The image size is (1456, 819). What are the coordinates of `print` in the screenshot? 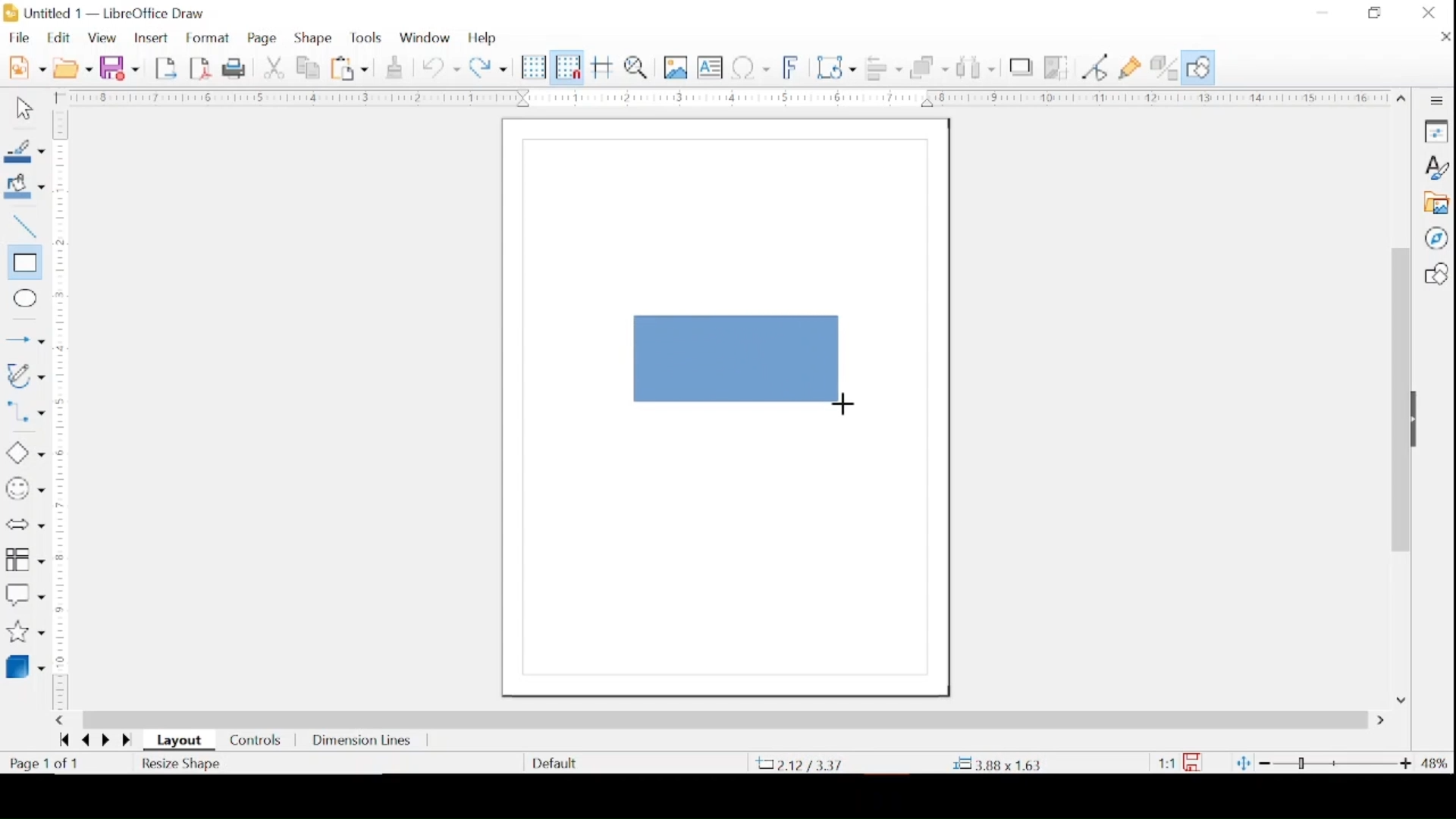 It's located at (237, 67).